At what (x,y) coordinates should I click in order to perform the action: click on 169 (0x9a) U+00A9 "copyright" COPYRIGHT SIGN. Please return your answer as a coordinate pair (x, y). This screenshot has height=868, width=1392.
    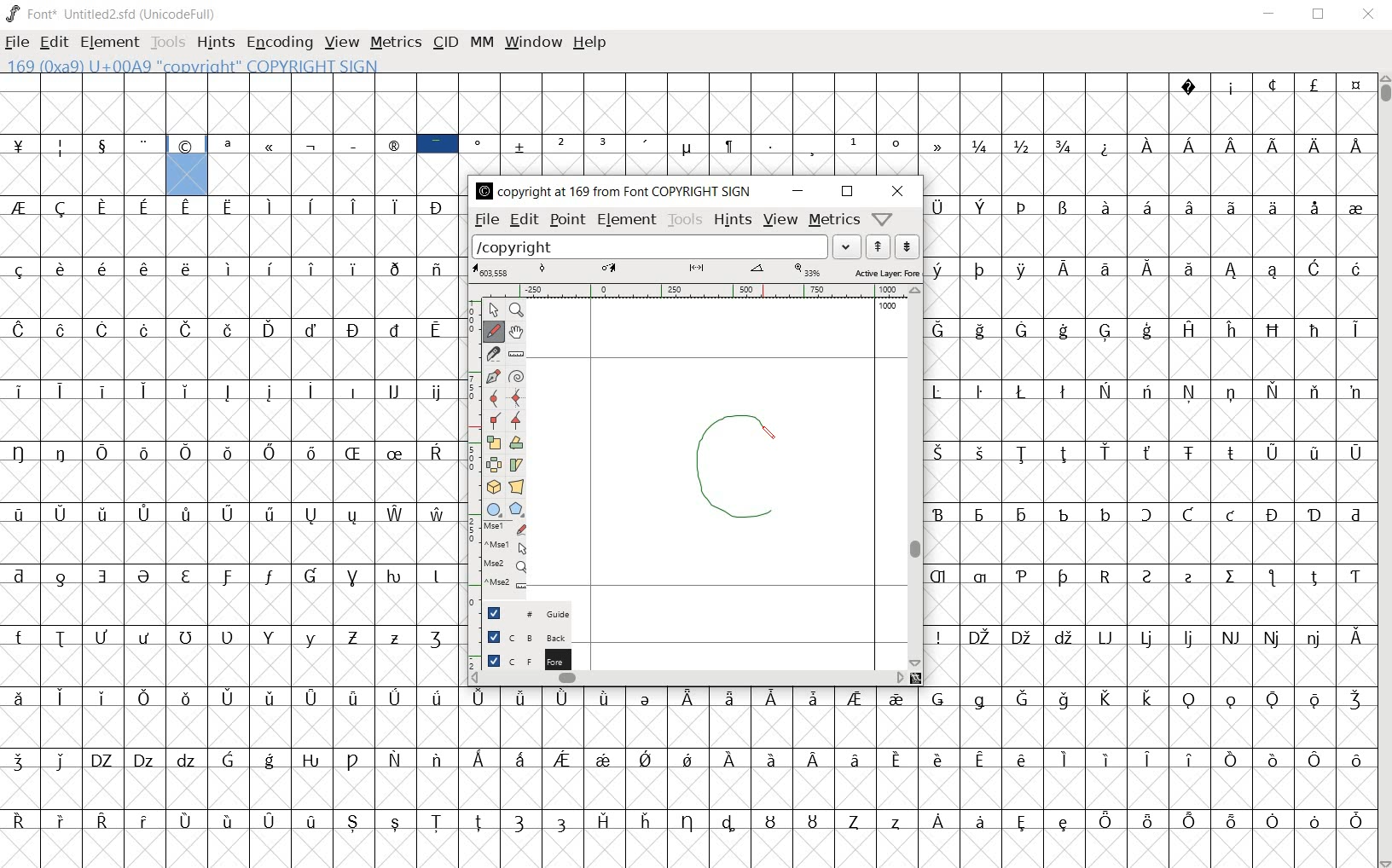
    Looking at the image, I should click on (200, 65).